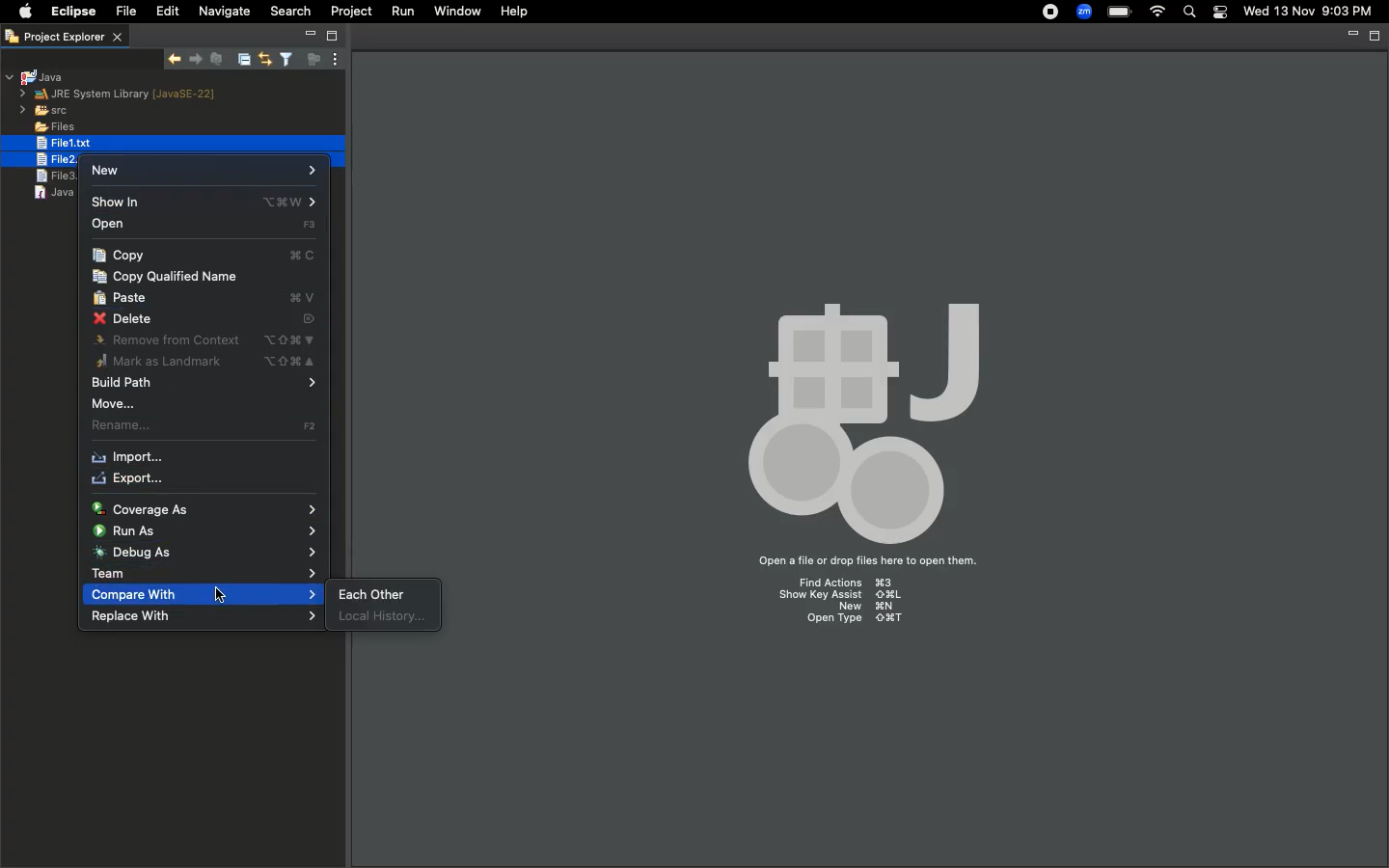  I want to click on Find Actions , so click(855, 583).